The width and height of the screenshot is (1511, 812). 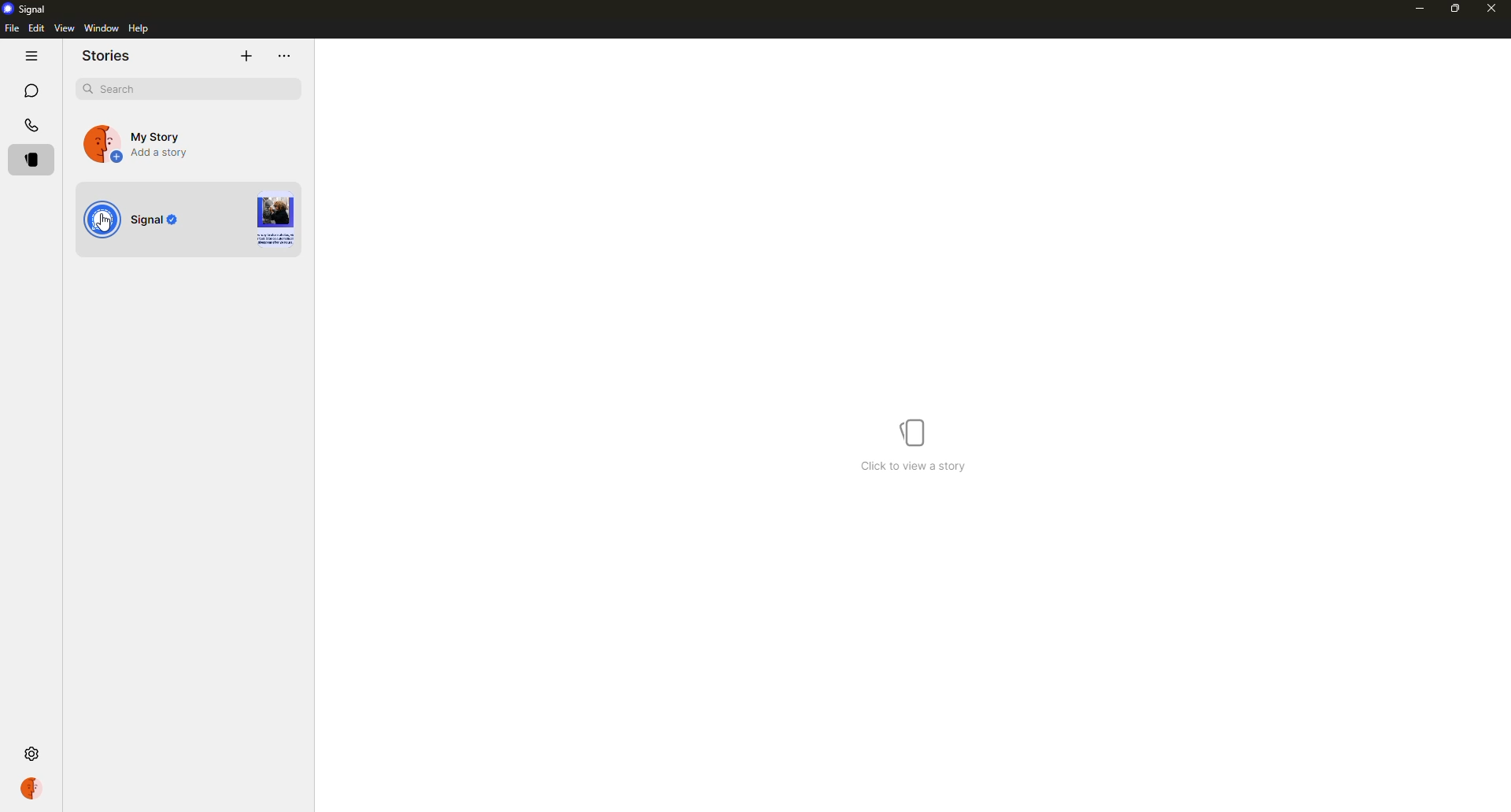 I want to click on help, so click(x=138, y=28).